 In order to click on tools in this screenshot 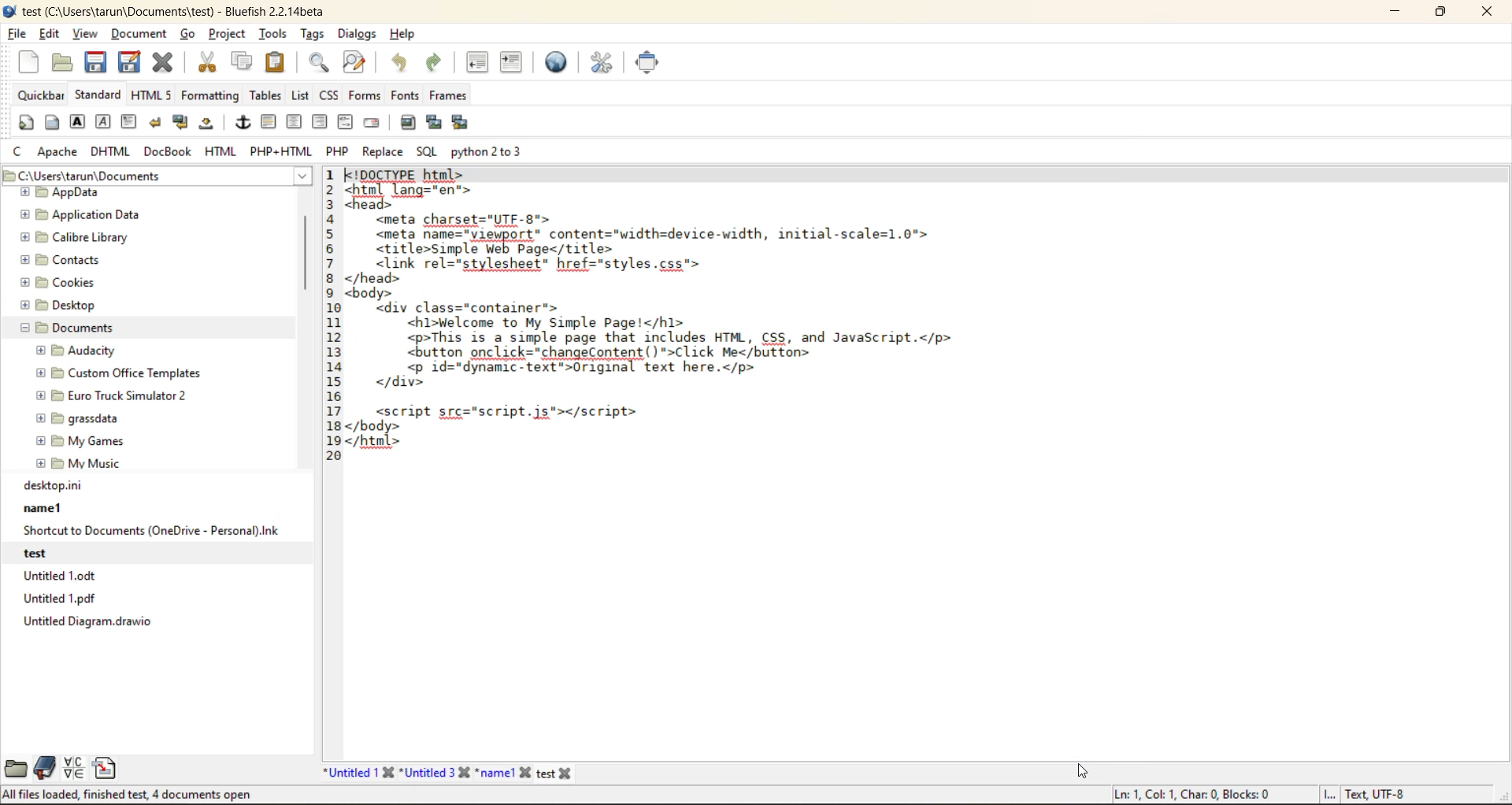, I will do `click(274, 33)`.